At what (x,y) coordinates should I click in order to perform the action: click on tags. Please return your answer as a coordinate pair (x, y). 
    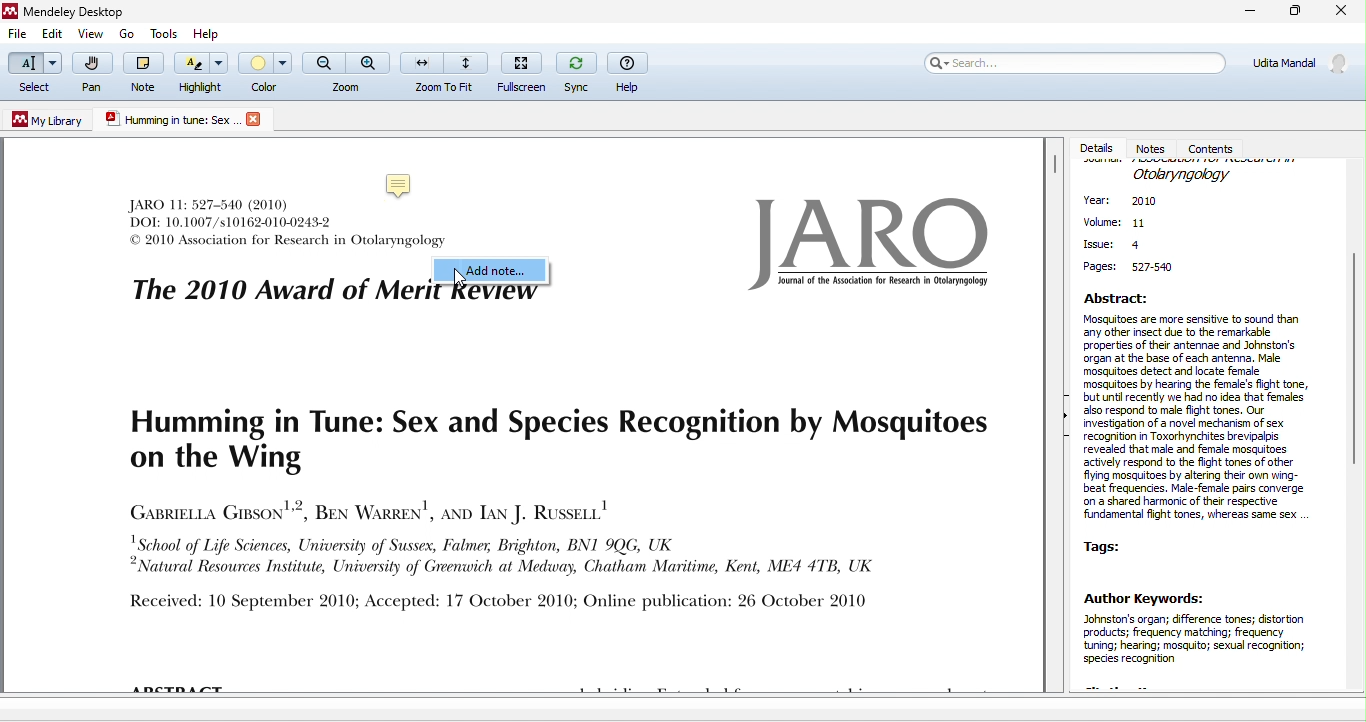
    Looking at the image, I should click on (1111, 546).